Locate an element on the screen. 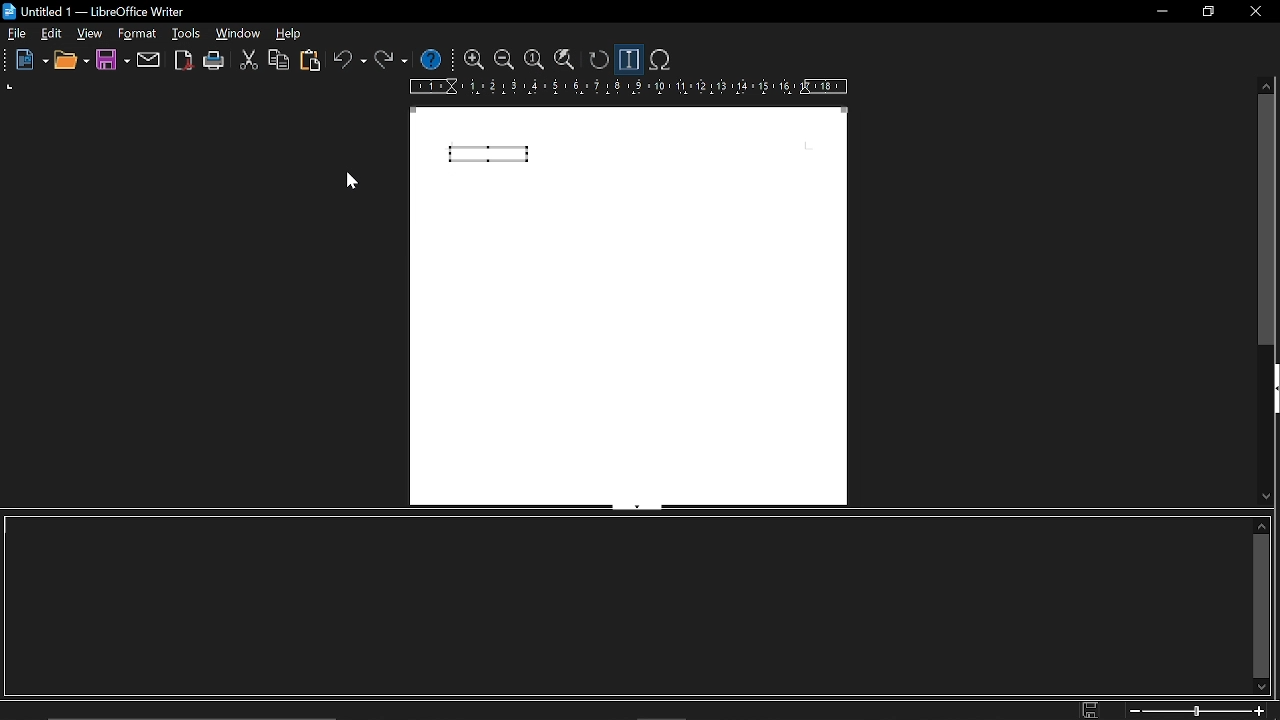 The height and width of the screenshot is (720, 1280). save is located at coordinates (112, 61).